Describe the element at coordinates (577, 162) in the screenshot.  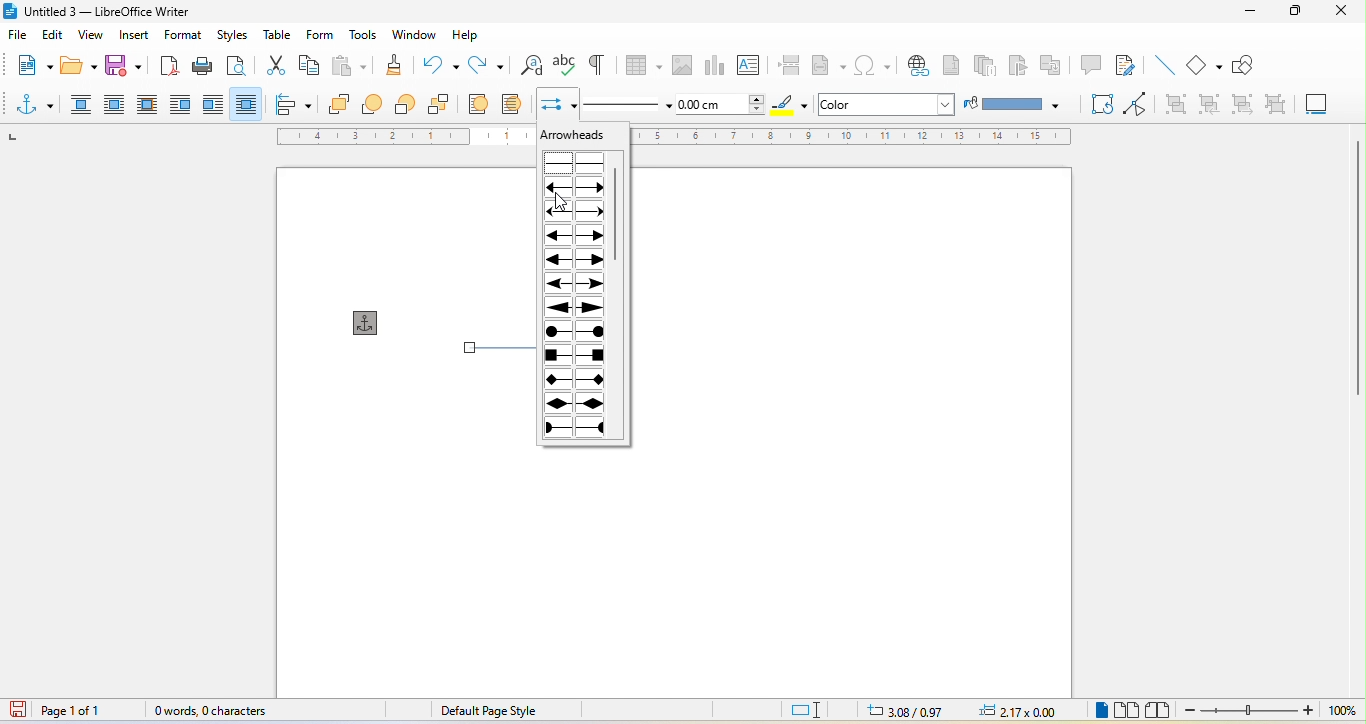
I see `none` at that location.